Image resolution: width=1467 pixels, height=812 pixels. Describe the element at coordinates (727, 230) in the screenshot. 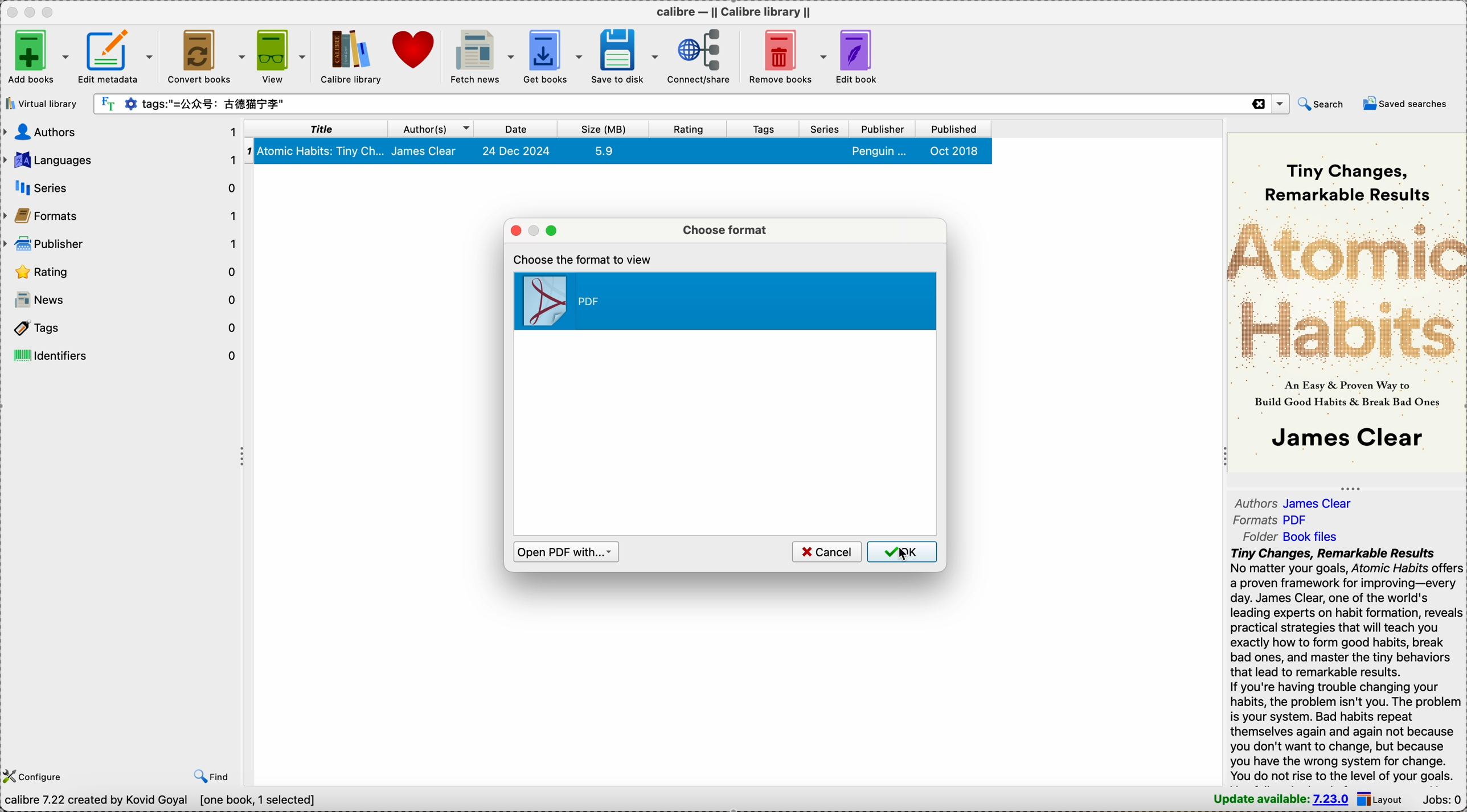

I see `choose format` at that location.